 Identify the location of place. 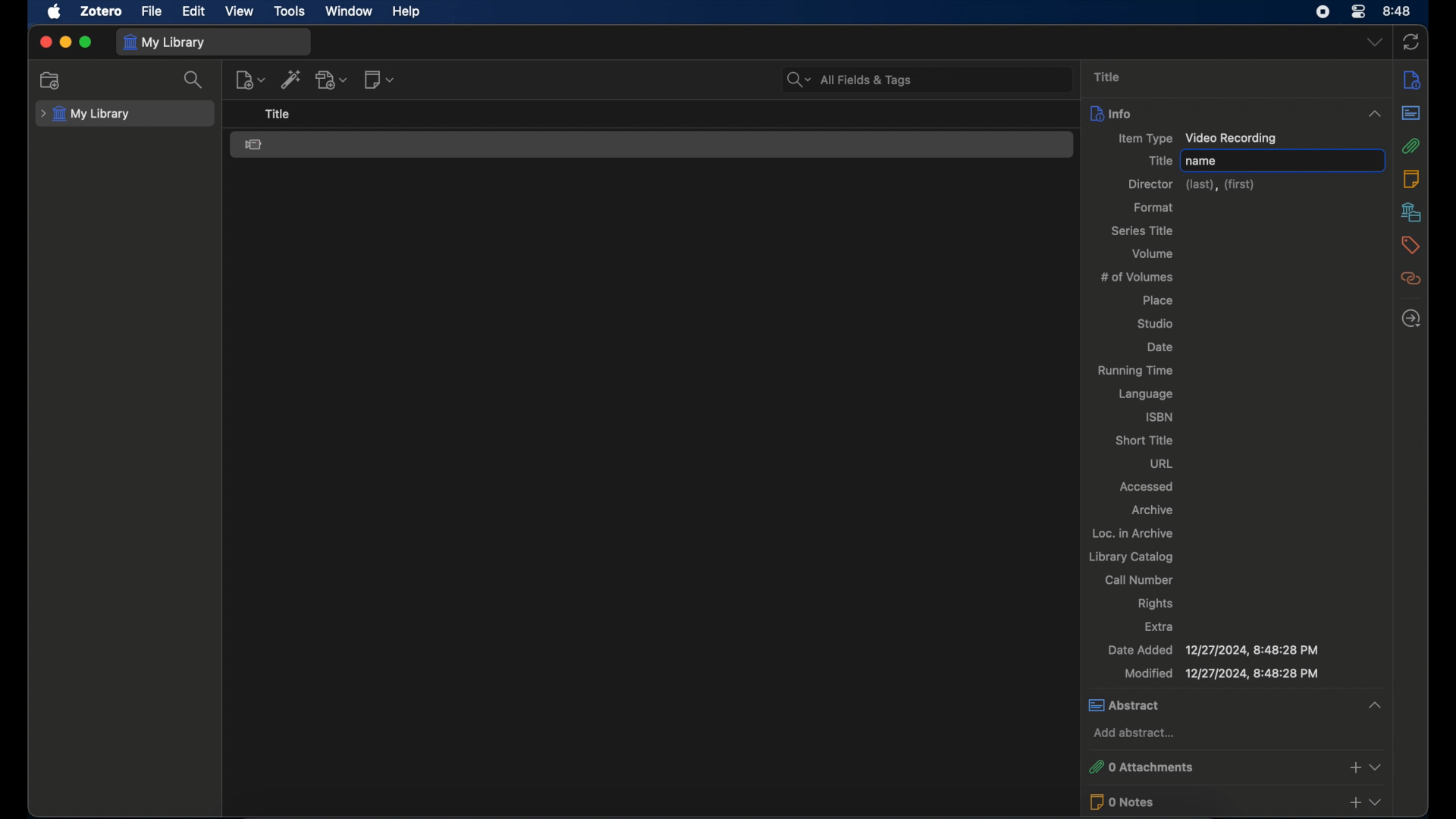
(1159, 300).